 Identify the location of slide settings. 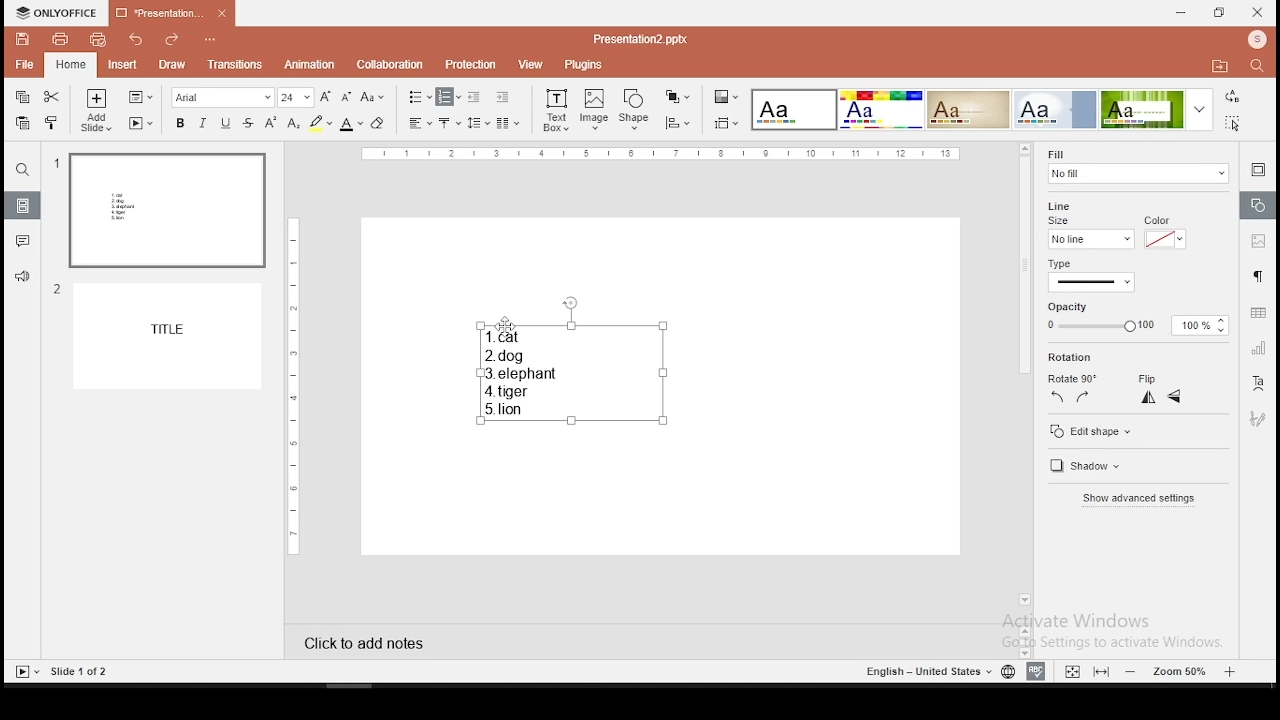
(1258, 172).